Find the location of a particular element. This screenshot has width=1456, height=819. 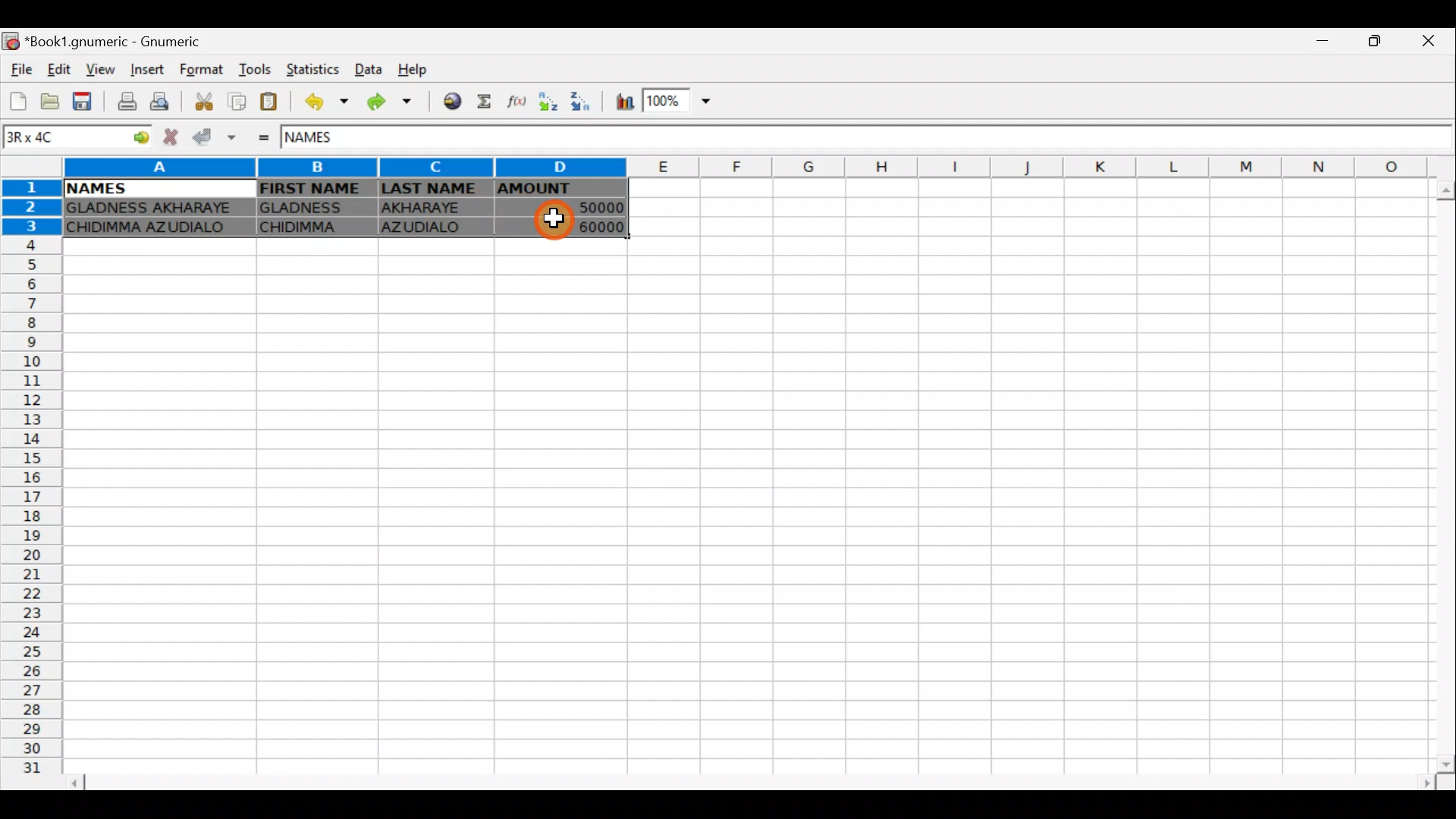

Columns is located at coordinates (758, 166).